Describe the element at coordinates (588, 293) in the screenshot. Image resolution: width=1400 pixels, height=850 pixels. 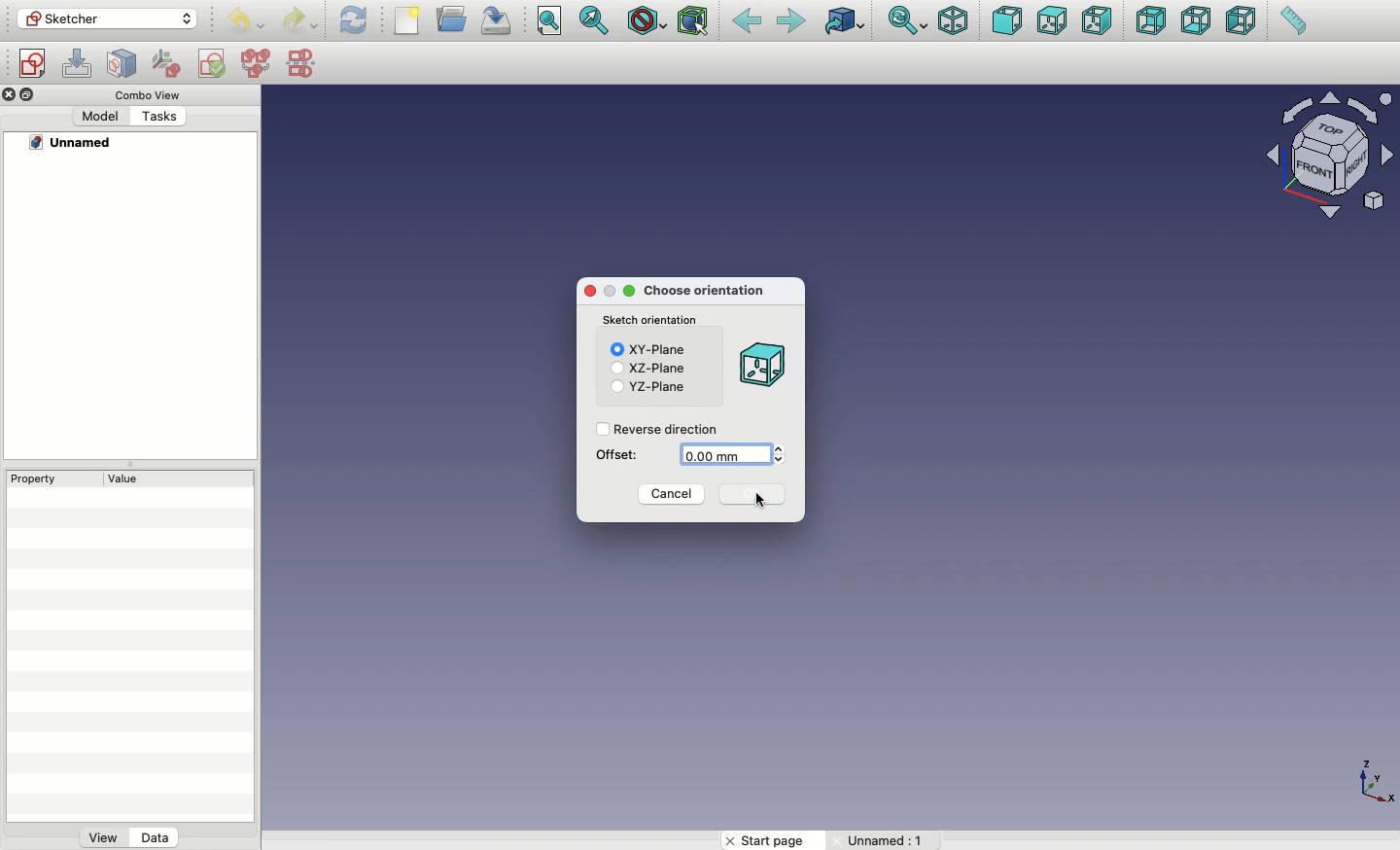
I see `Close` at that location.